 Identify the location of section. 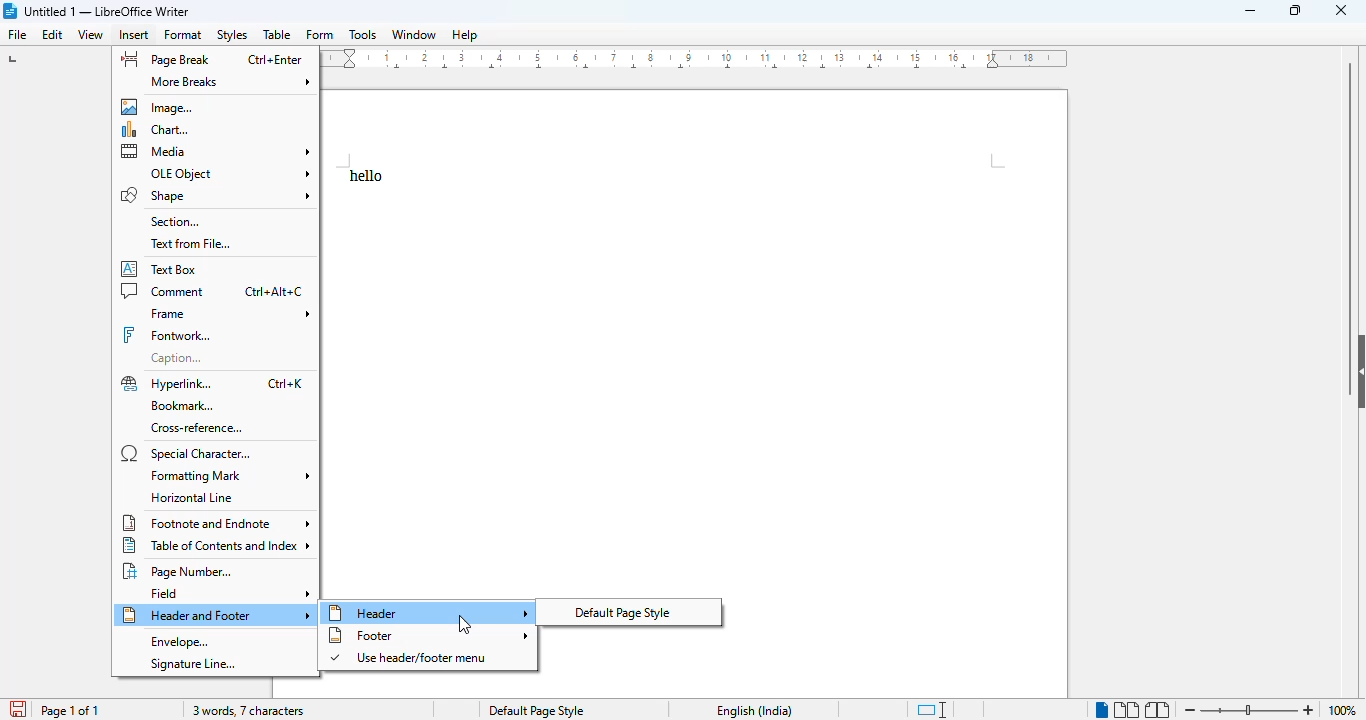
(176, 222).